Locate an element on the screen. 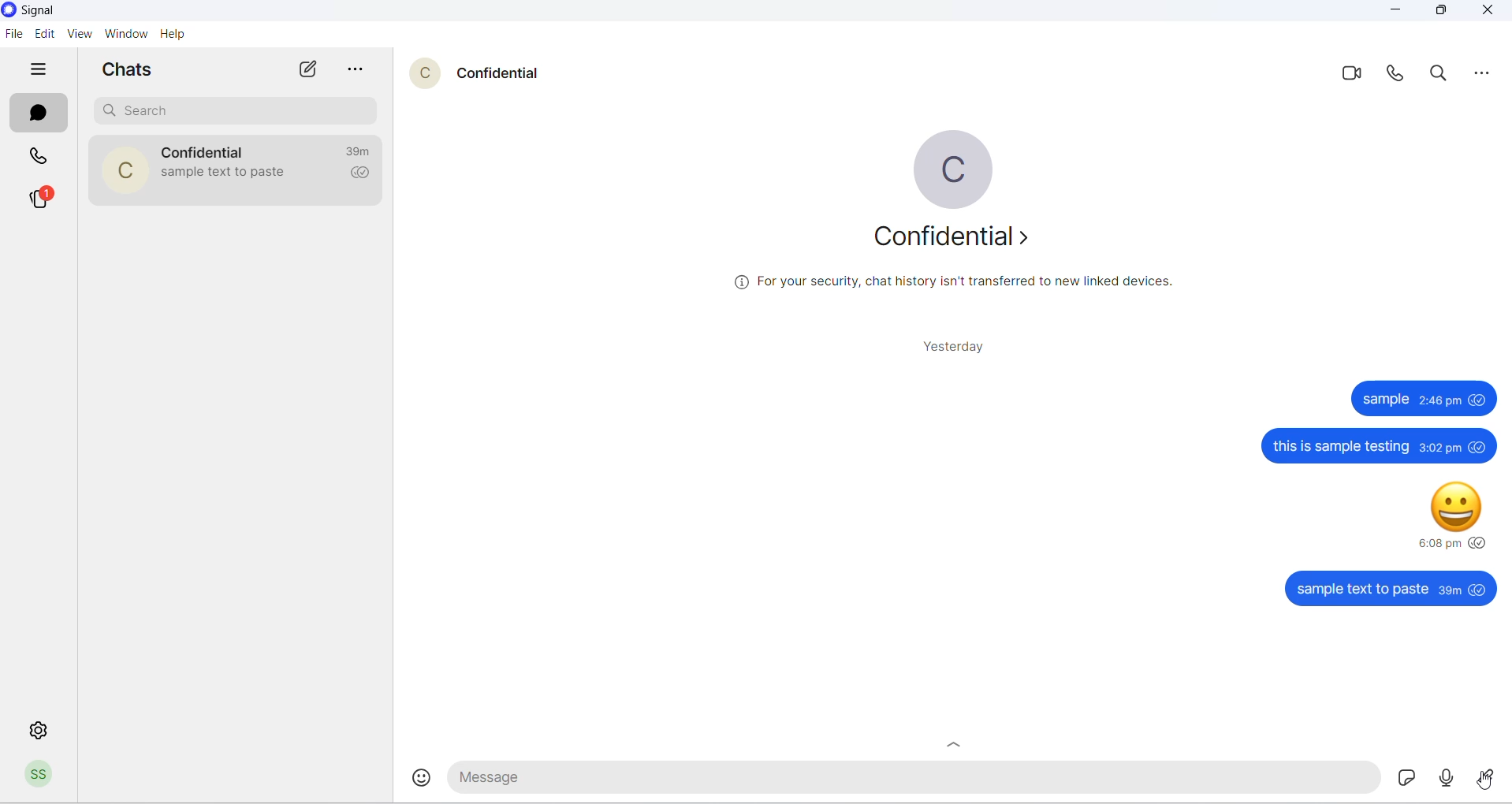  file is located at coordinates (13, 35).